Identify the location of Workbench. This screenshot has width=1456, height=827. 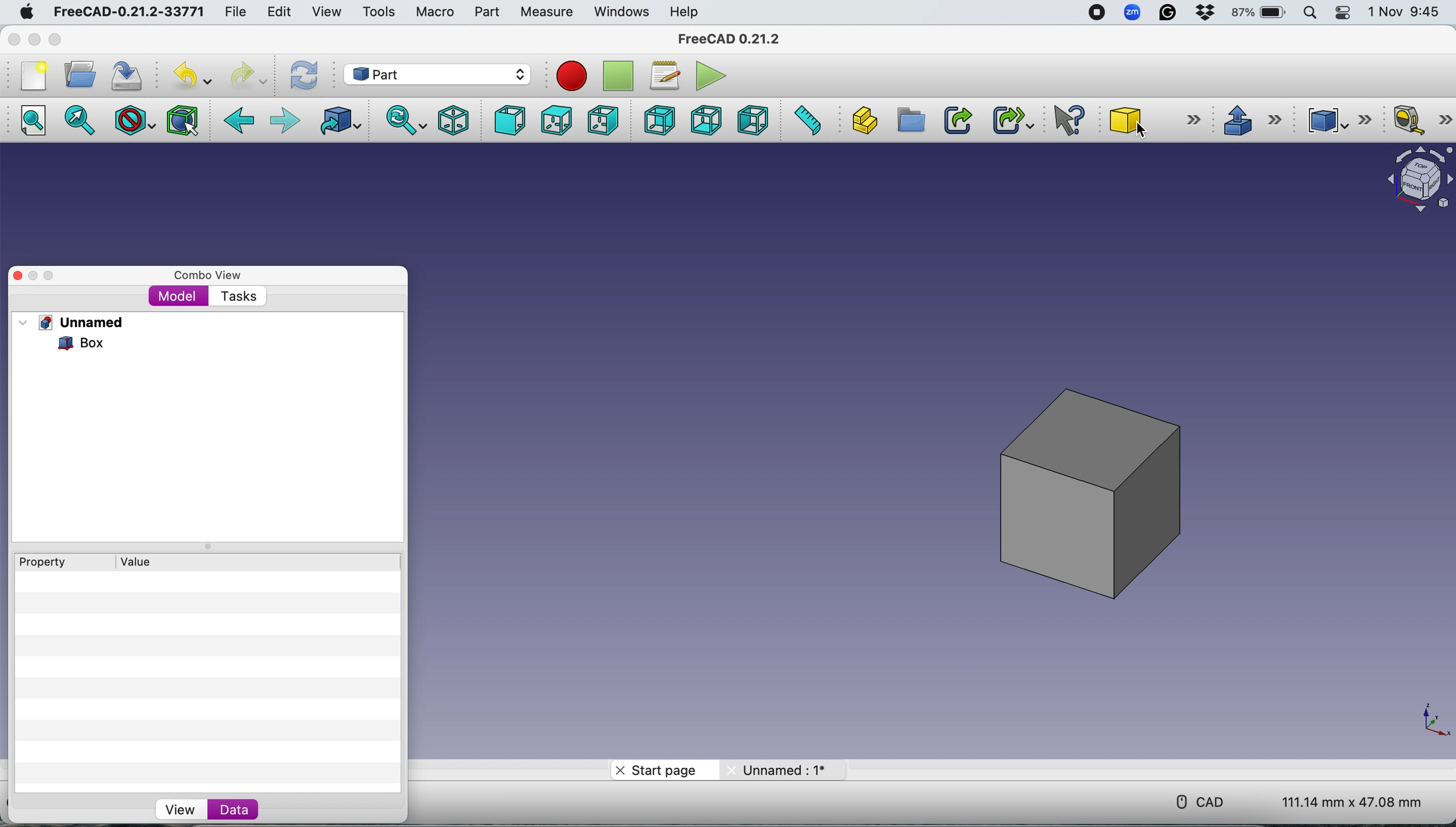
(436, 73).